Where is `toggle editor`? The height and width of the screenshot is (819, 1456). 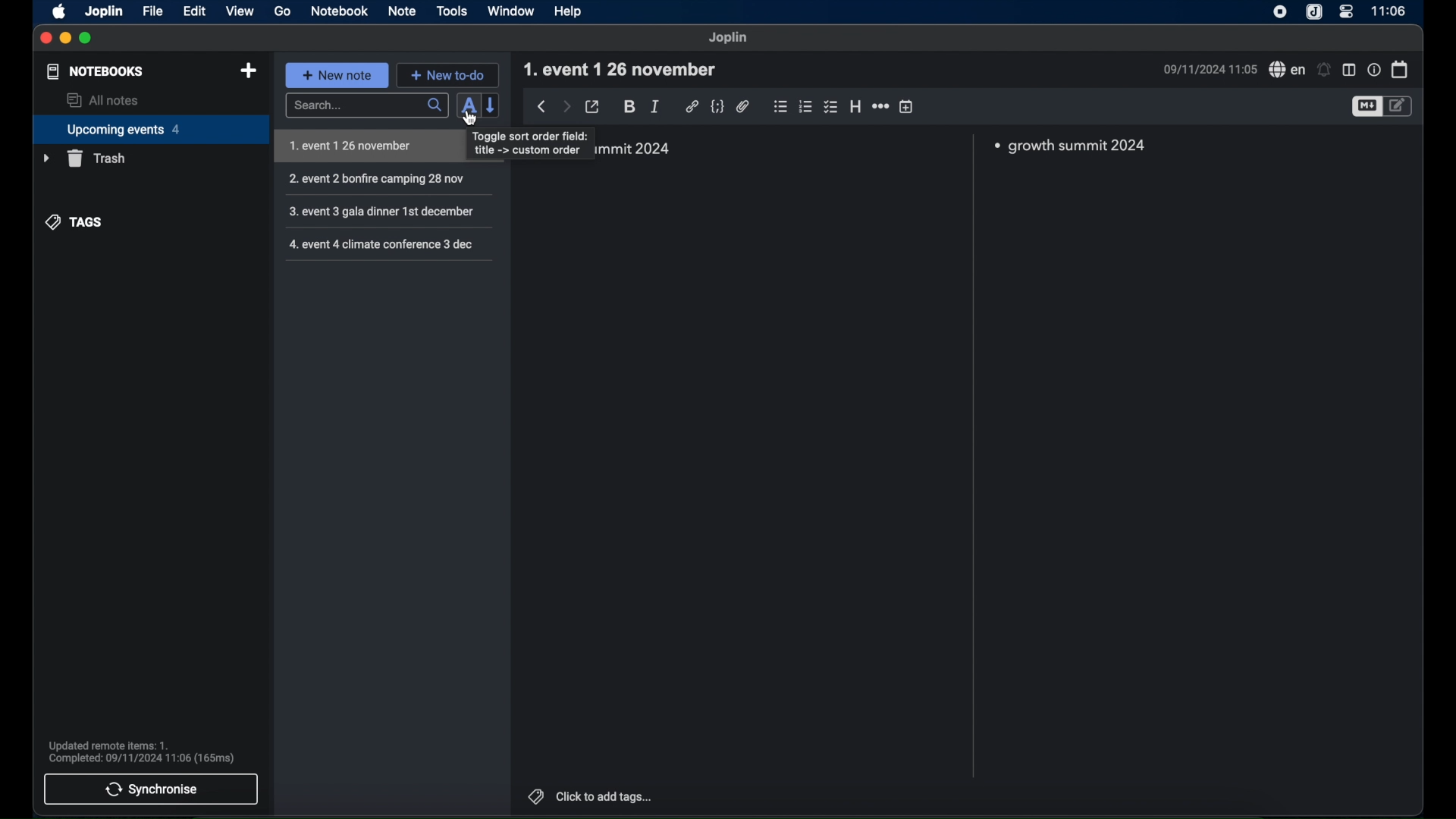 toggle editor is located at coordinates (1366, 108).